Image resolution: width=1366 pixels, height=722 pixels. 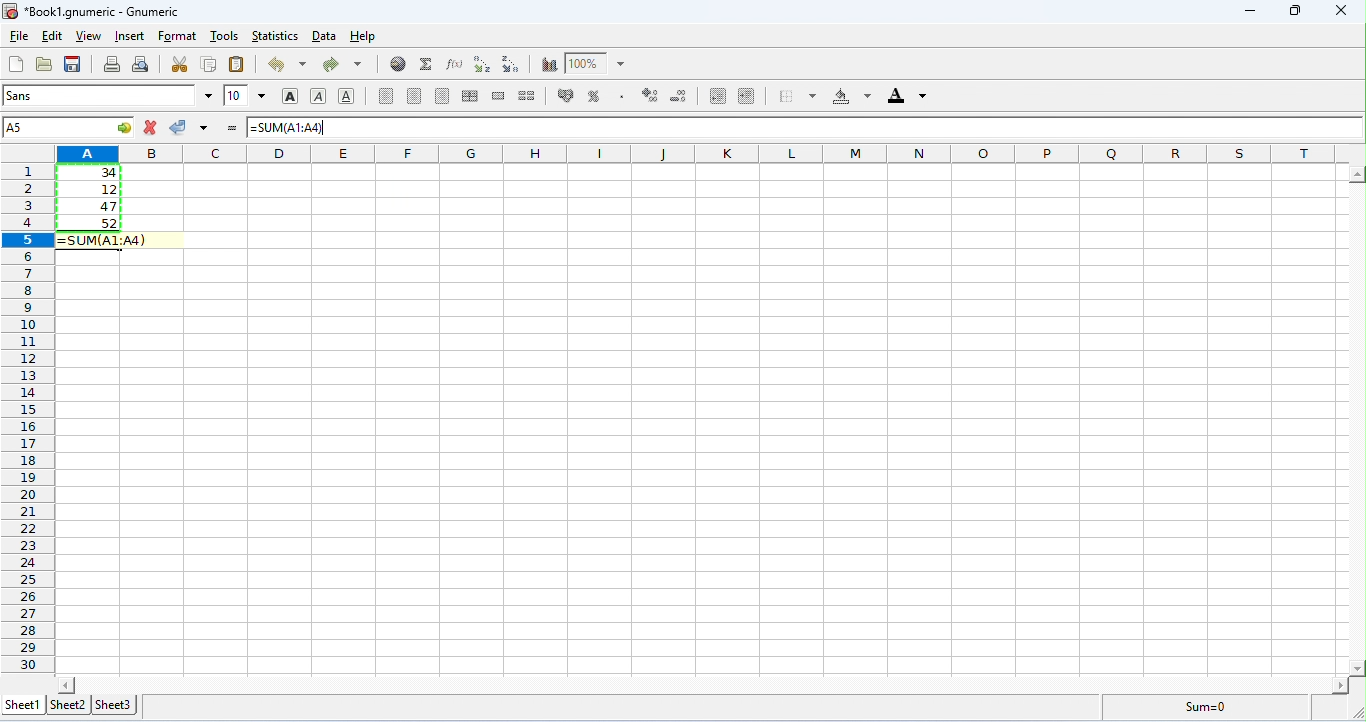 I want to click on save, so click(x=73, y=64).